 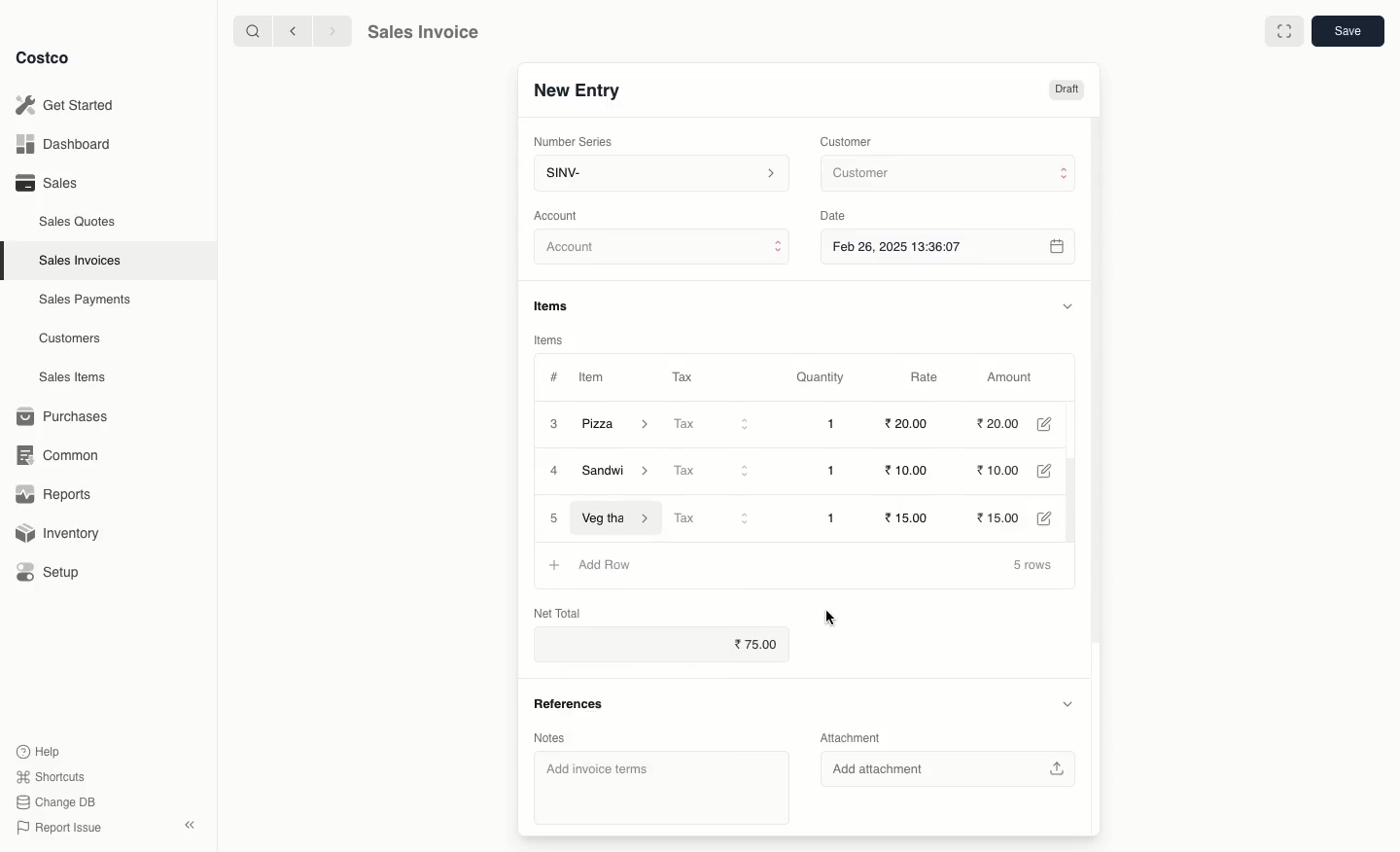 What do you see at coordinates (1015, 377) in the screenshot?
I see `Amount` at bounding box center [1015, 377].